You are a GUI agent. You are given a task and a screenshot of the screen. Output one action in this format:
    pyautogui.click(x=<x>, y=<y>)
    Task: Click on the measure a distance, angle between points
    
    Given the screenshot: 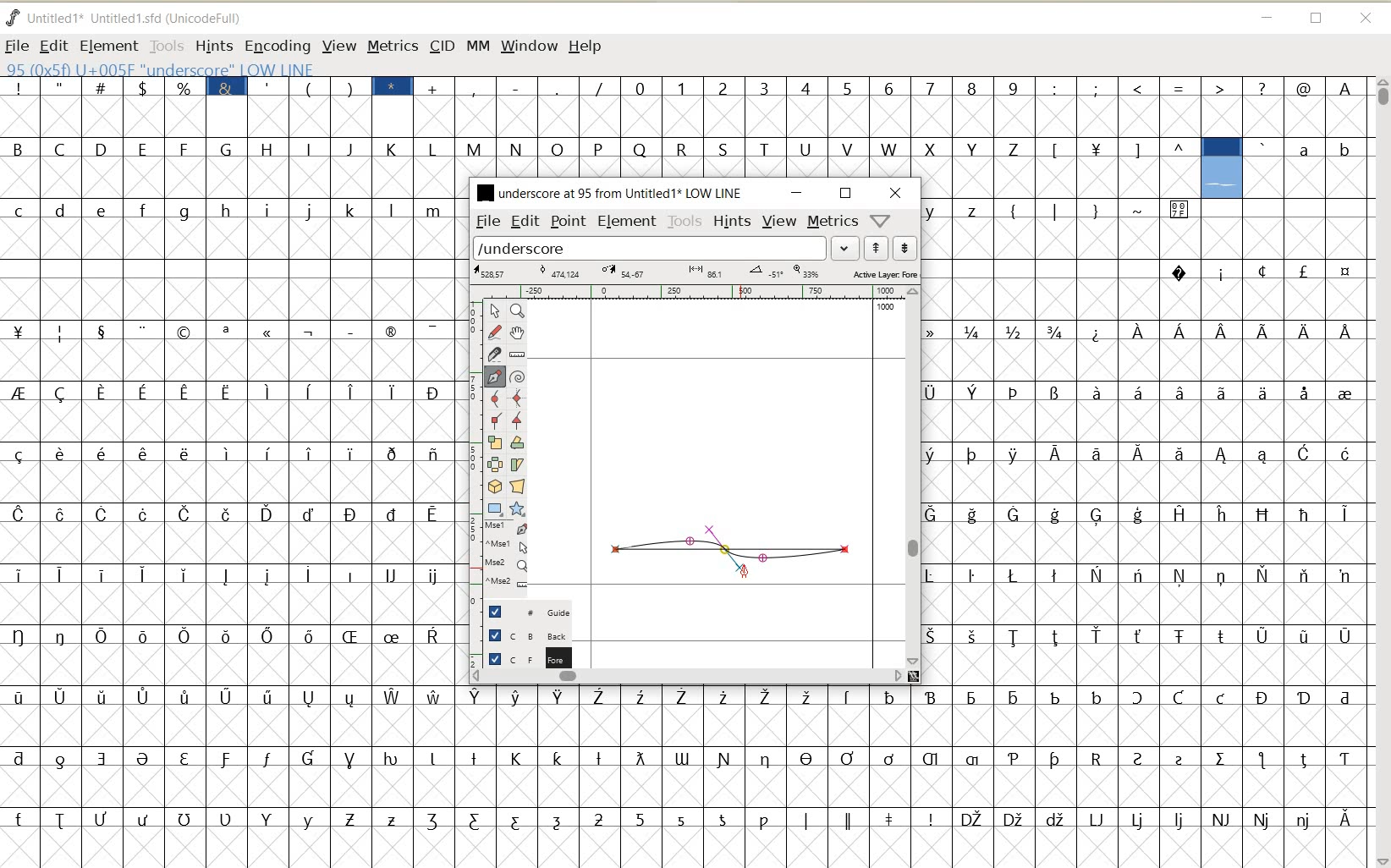 What is the action you would take?
    pyautogui.click(x=518, y=354)
    